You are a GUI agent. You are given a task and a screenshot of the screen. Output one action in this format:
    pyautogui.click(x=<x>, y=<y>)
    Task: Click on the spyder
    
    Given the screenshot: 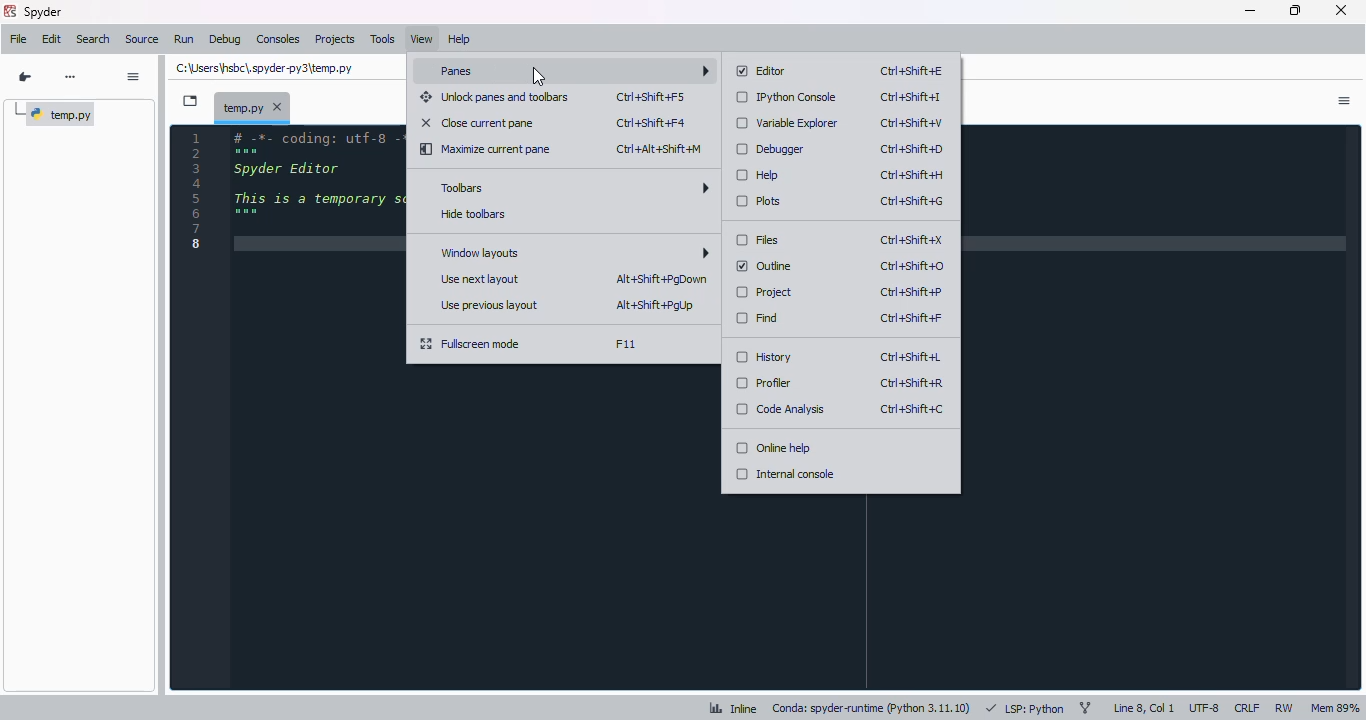 What is the action you would take?
    pyautogui.click(x=42, y=12)
    